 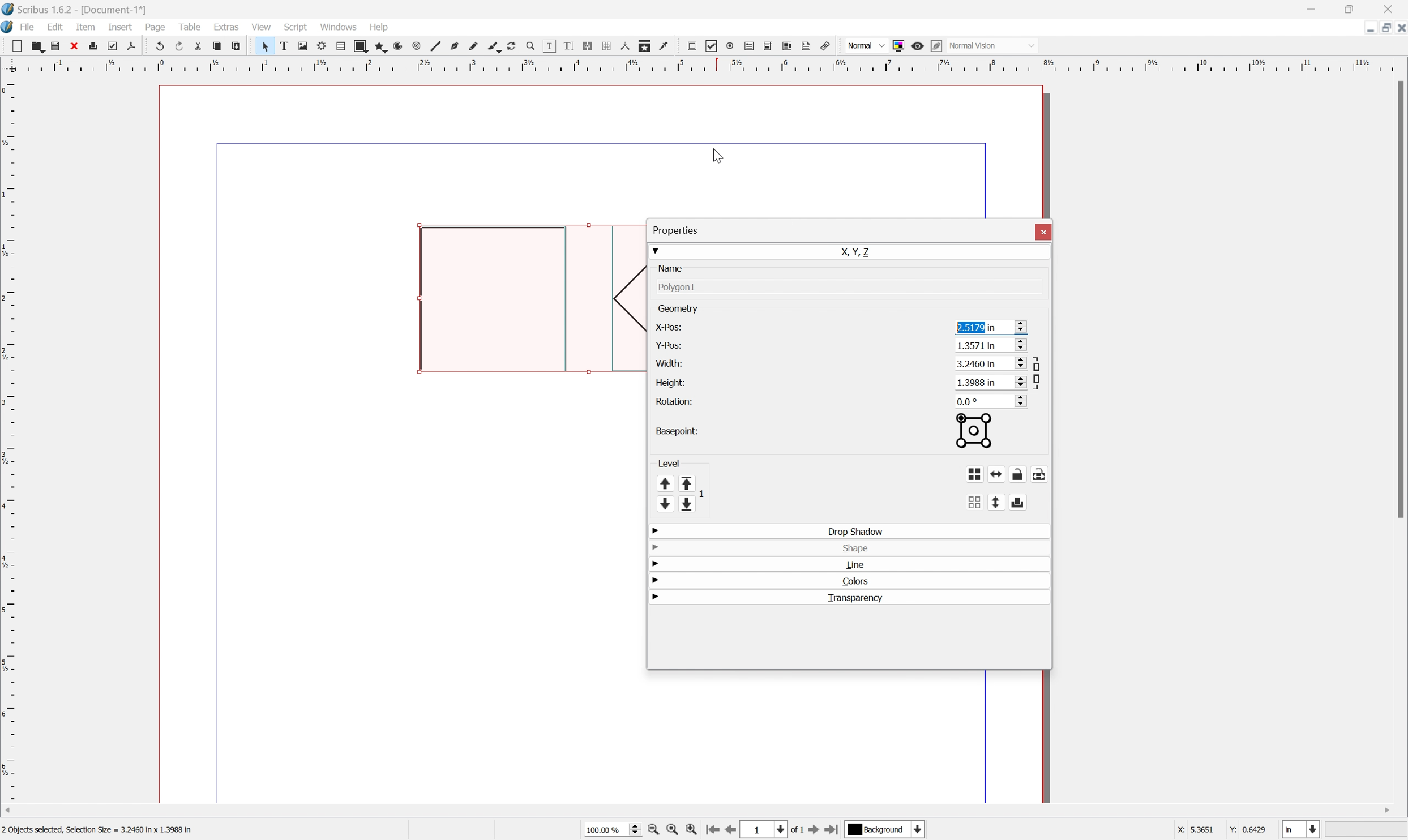 What do you see at coordinates (471, 46) in the screenshot?
I see `freehand line` at bounding box center [471, 46].